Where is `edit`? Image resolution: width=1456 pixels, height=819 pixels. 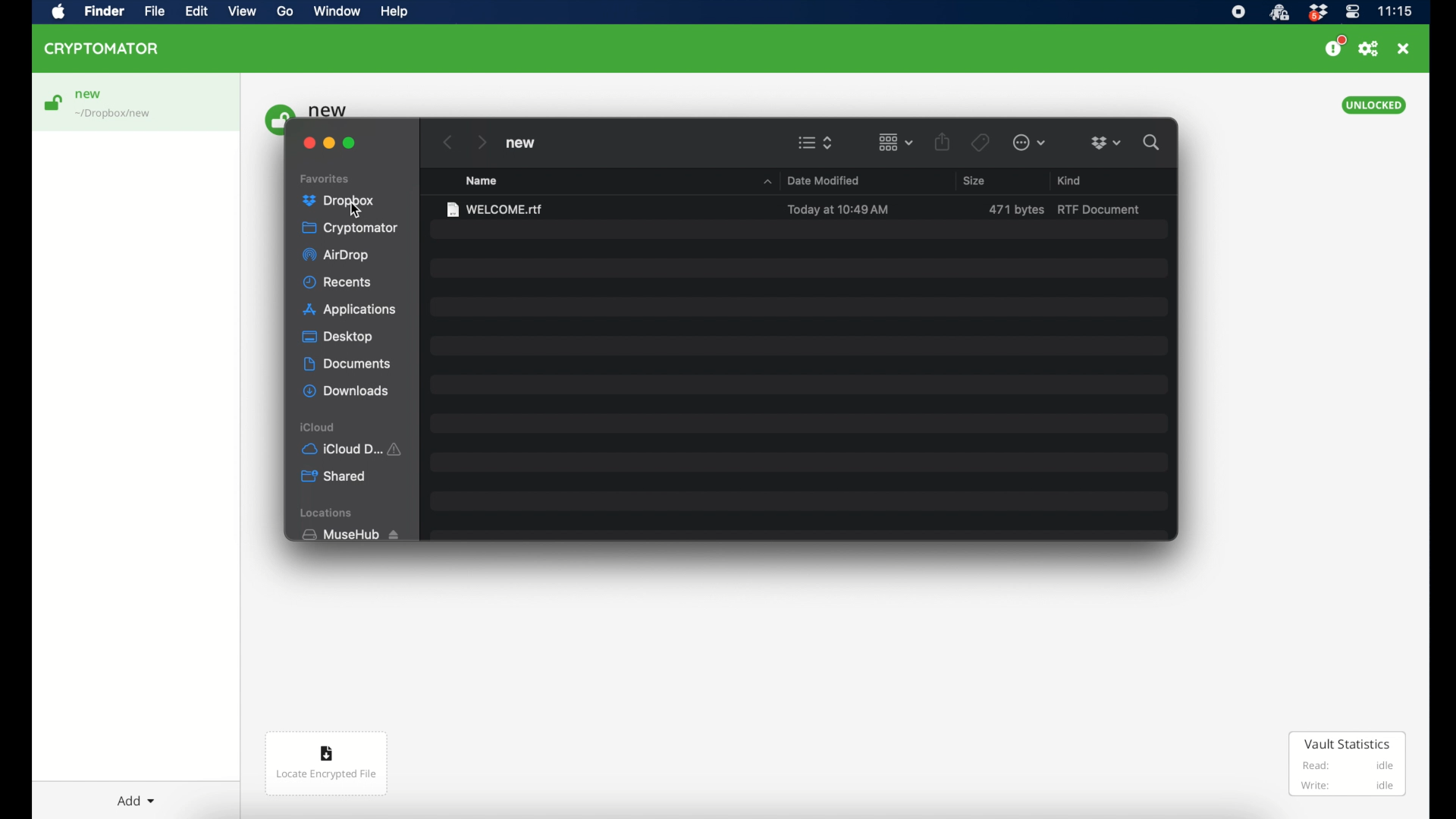
edit is located at coordinates (196, 11).